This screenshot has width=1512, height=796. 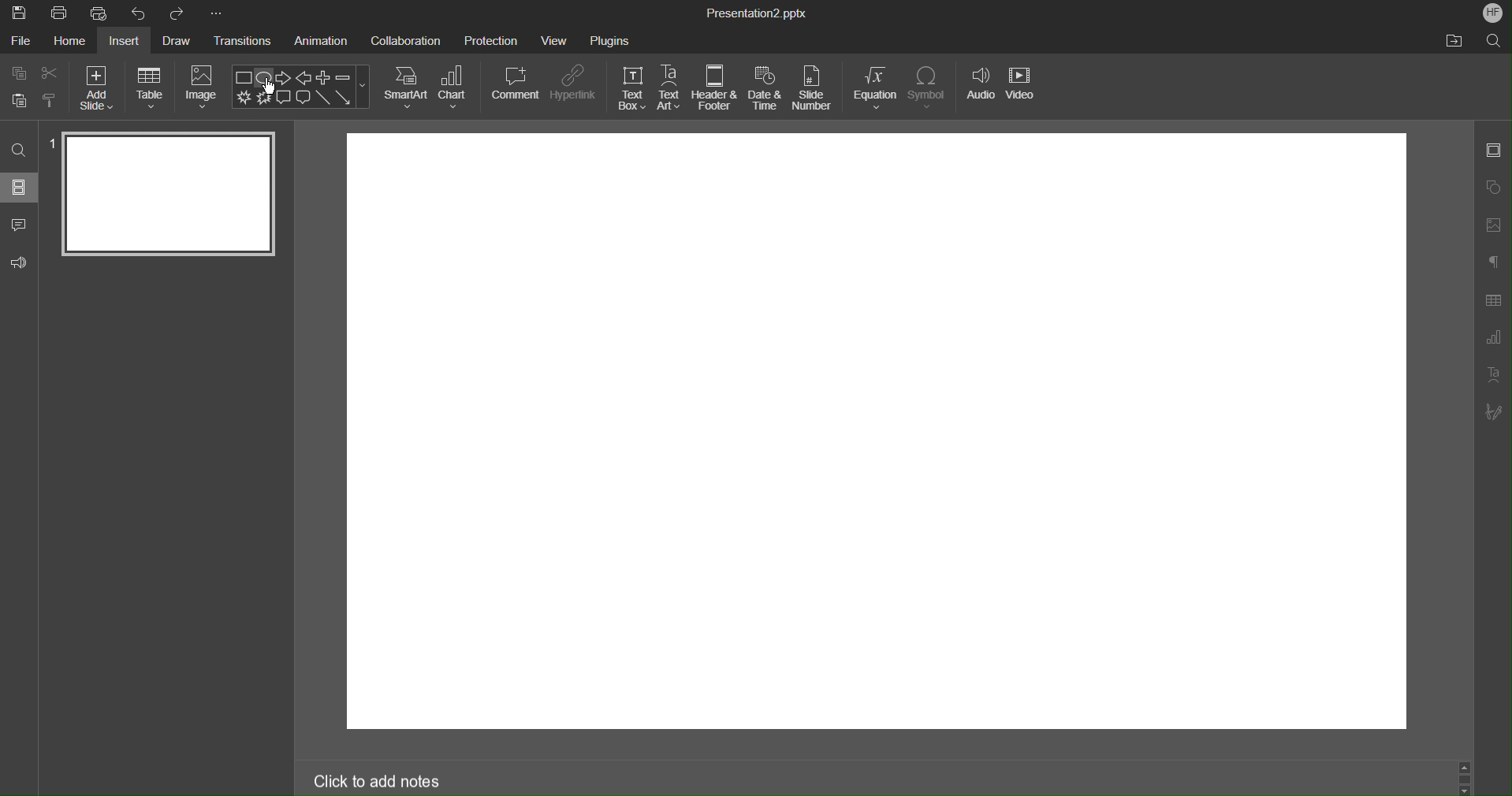 What do you see at coordinates (216, 13) in the screenshot?
I see `More` at bounding box center [216, 13].